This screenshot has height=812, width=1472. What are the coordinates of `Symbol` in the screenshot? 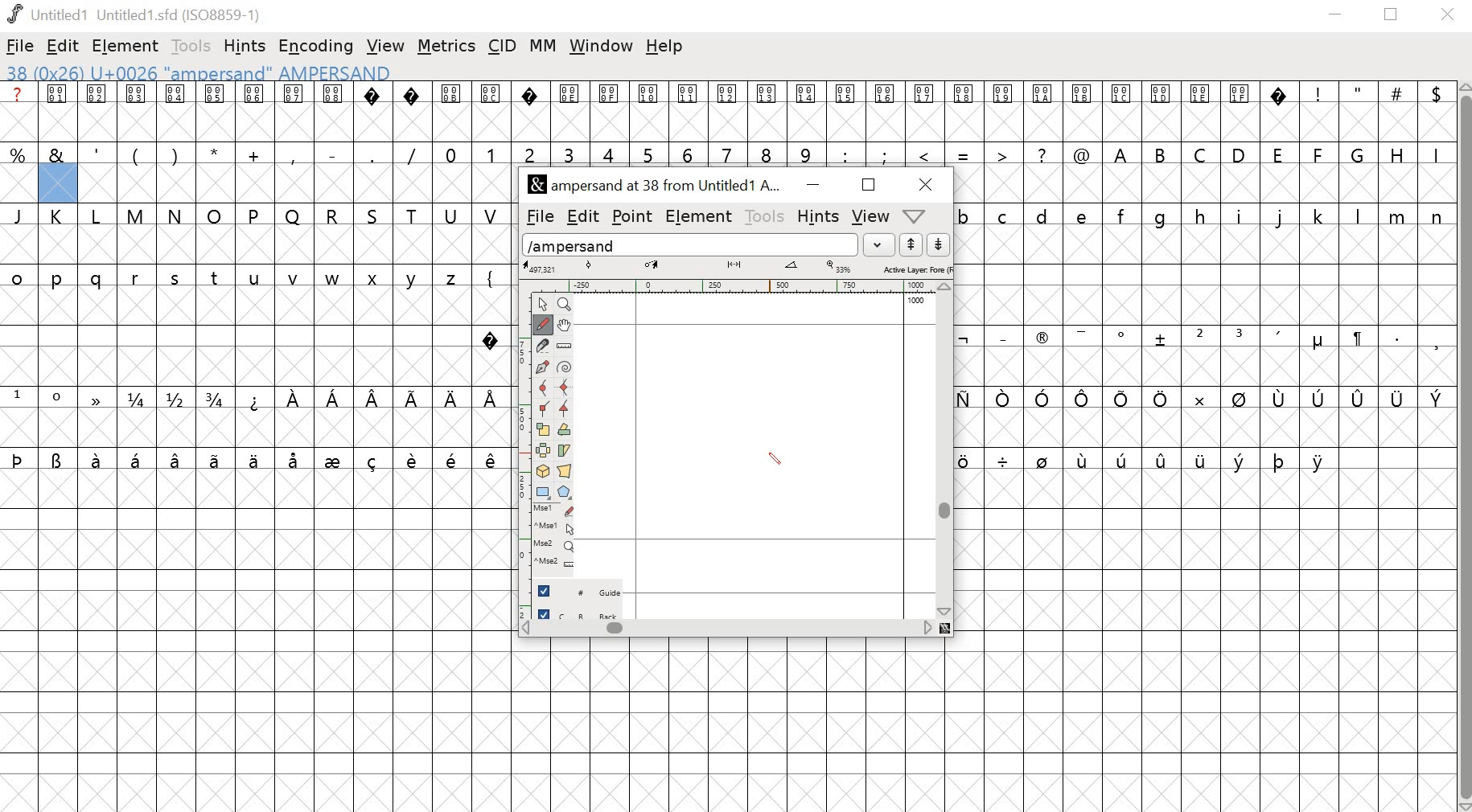 It's located at (1318, 342).